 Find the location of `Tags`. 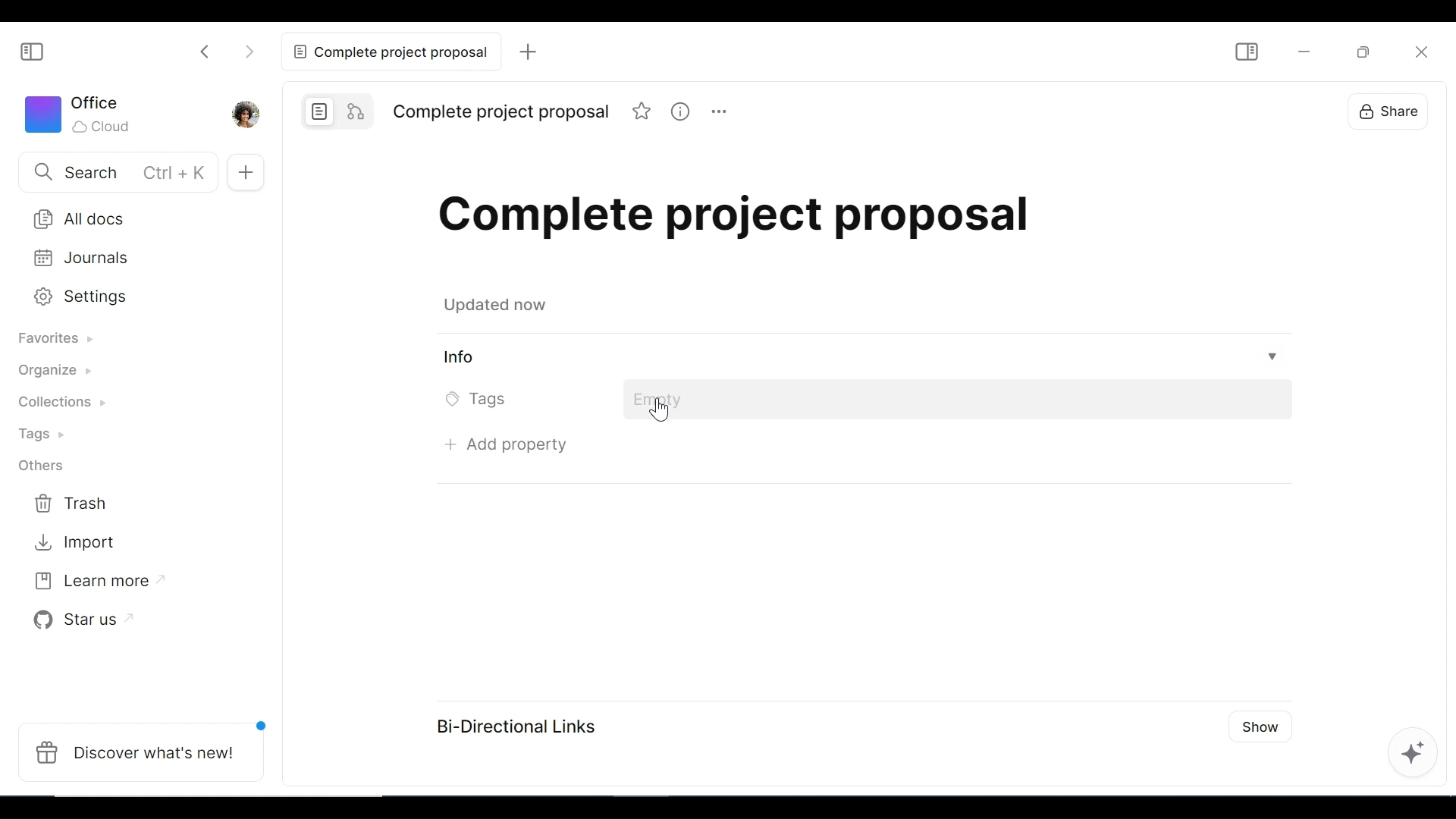

Tags is located at coordinates (482, 398).